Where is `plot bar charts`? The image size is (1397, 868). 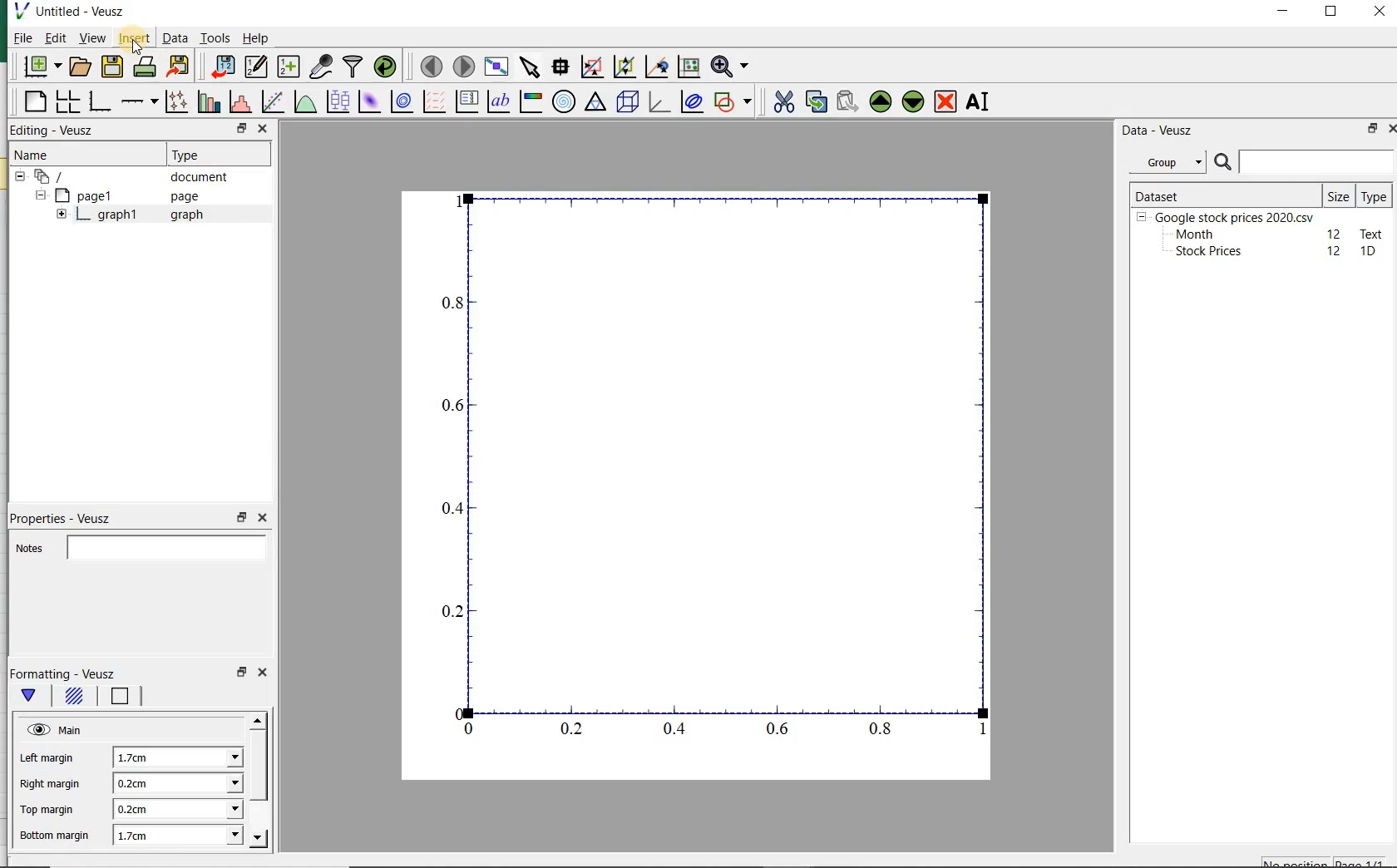
plot bar charts is located at coordinates (206, 103).